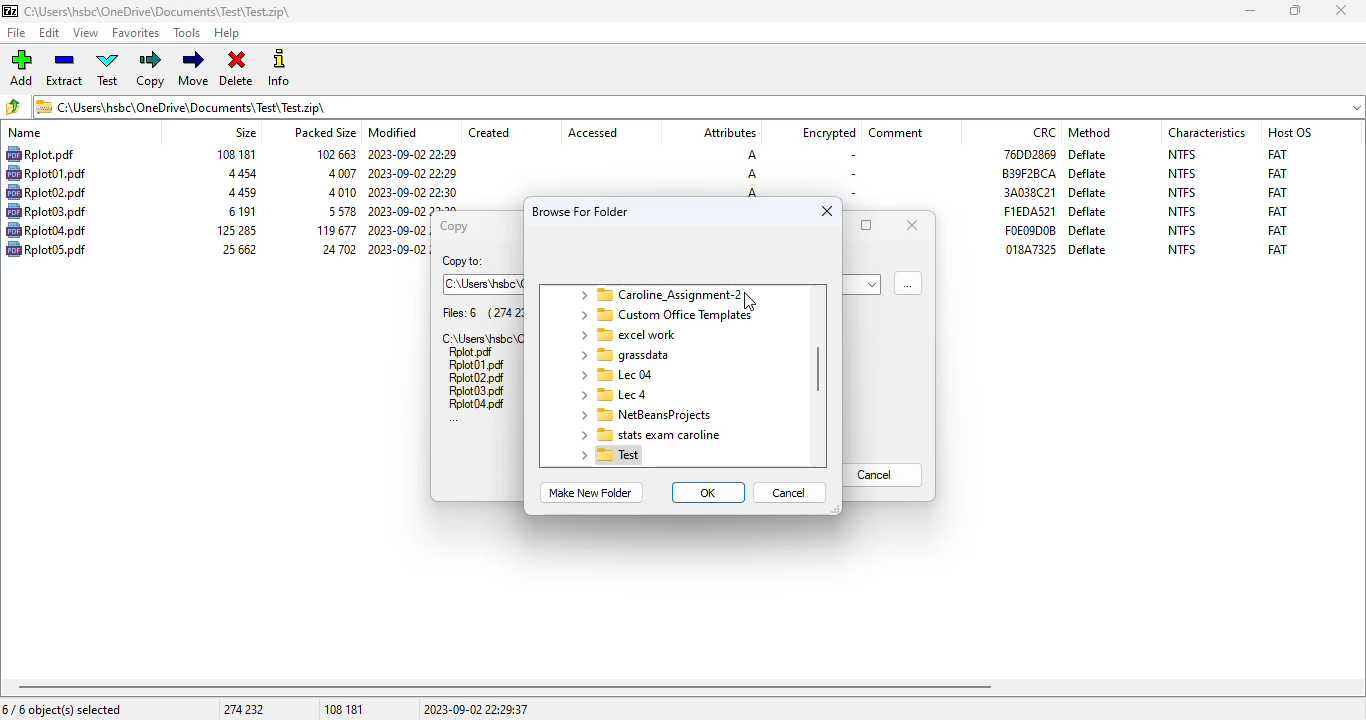 The height and width of the screenshot is (720, 1366). Describe the element at coordinates (647, 434) in the screenshot. I see `folder name` at that location.